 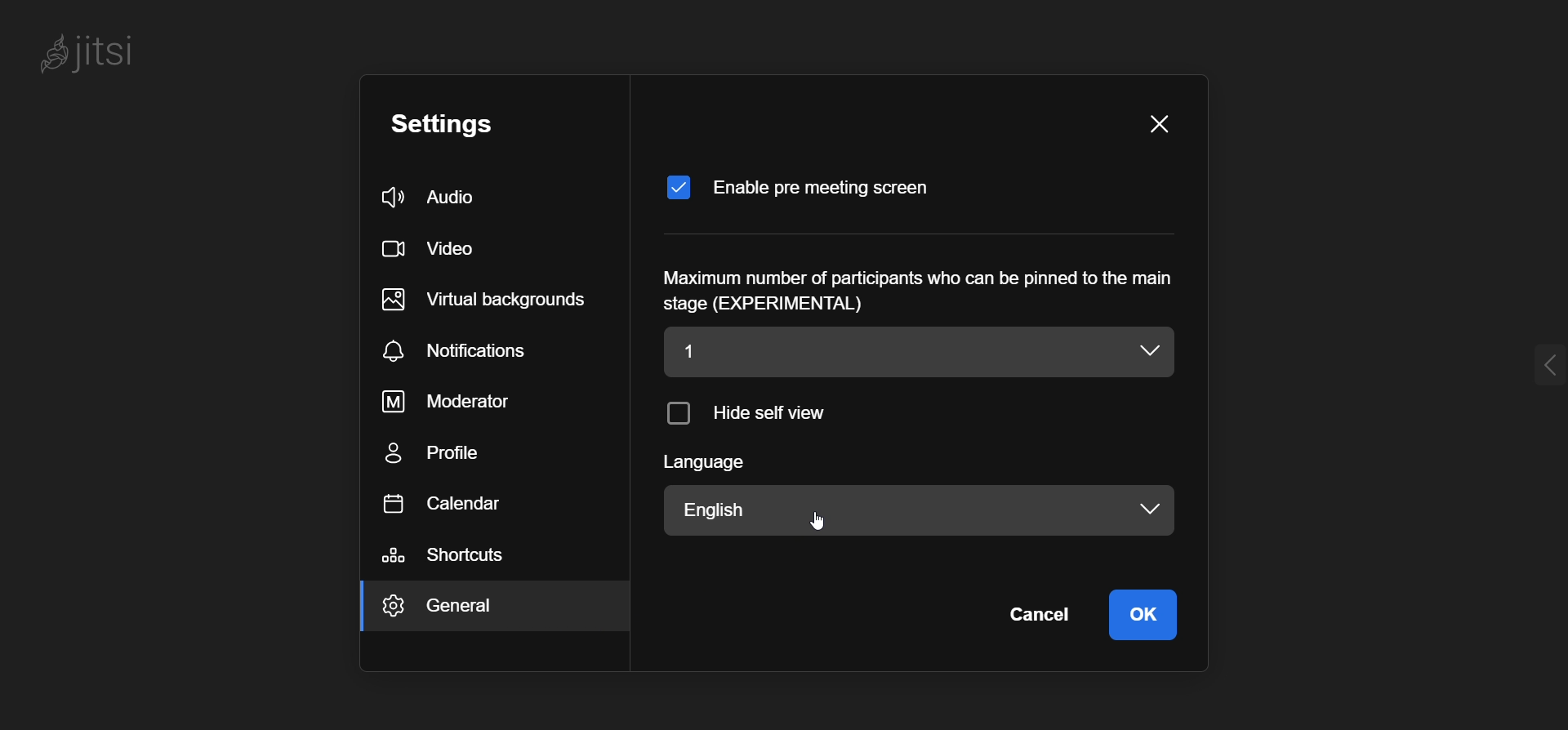 What do you see at coordinates (434, 249) in the screenshot?
I see `video` at bounding box center [434, 249].